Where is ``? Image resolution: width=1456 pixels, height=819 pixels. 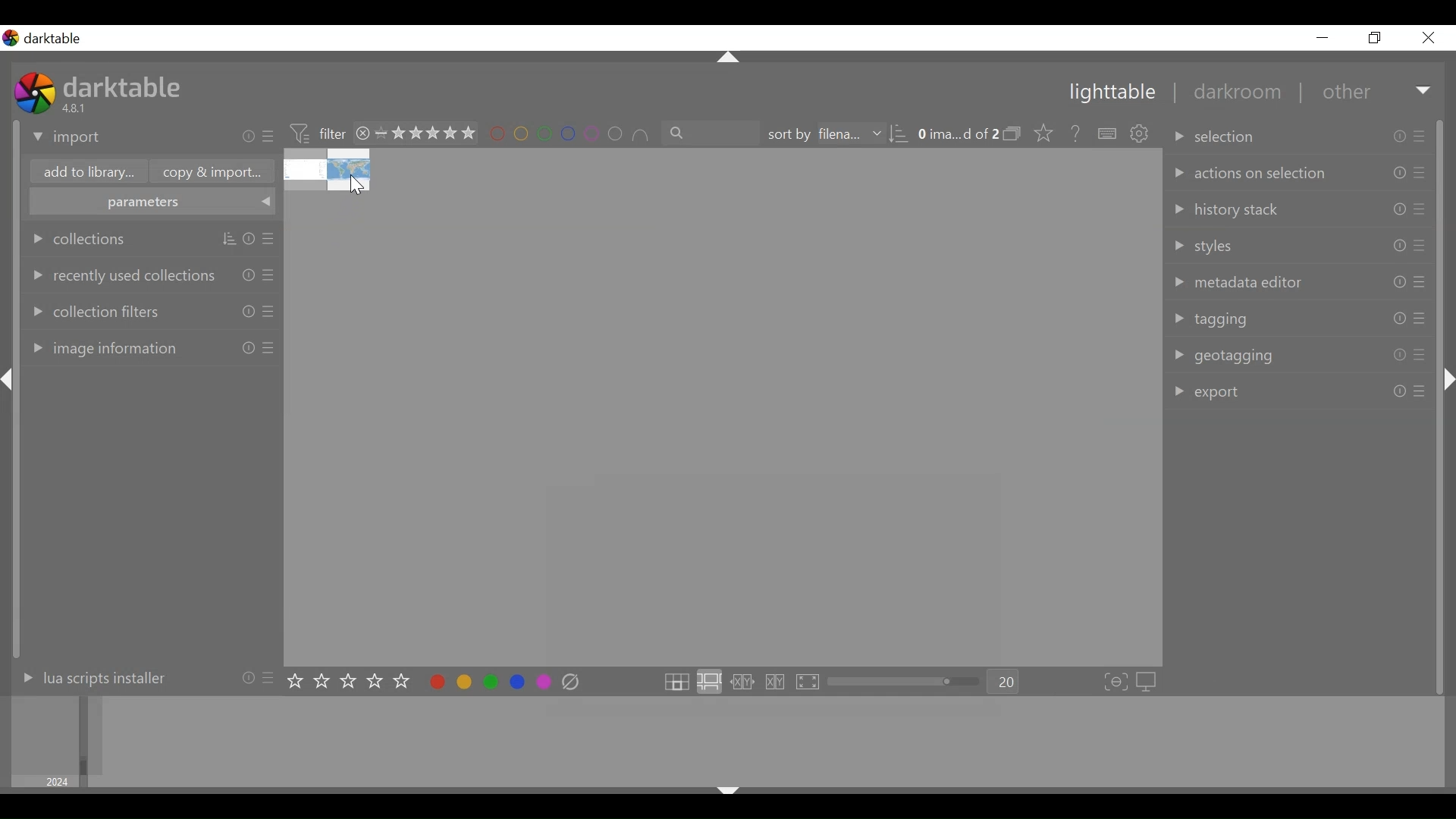  is located at coordinates (1398, 284).